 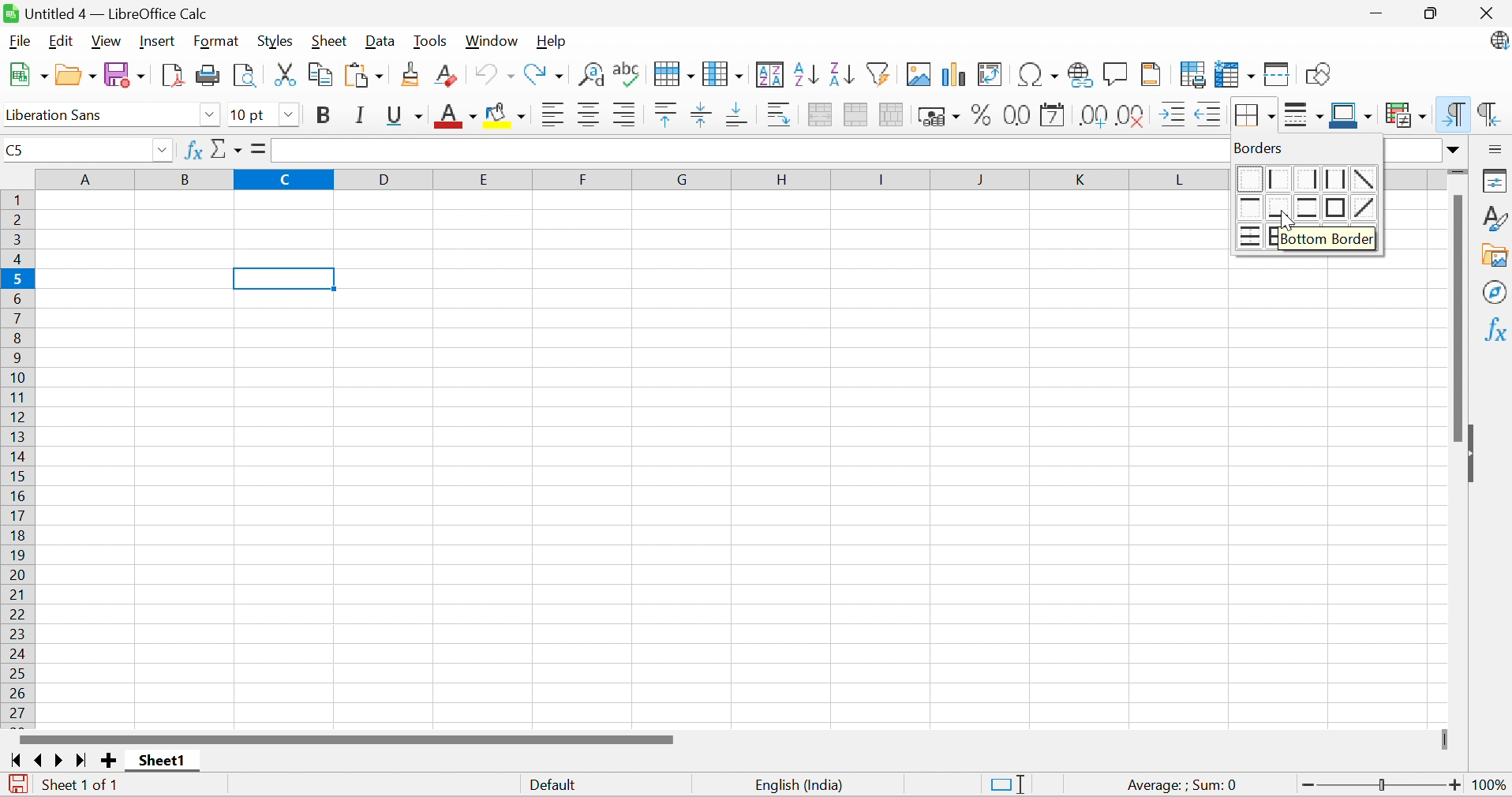 What do you see at coordinates (321, 73) in the screenshot?
I see `Copy` at bounding box center [321, 73].